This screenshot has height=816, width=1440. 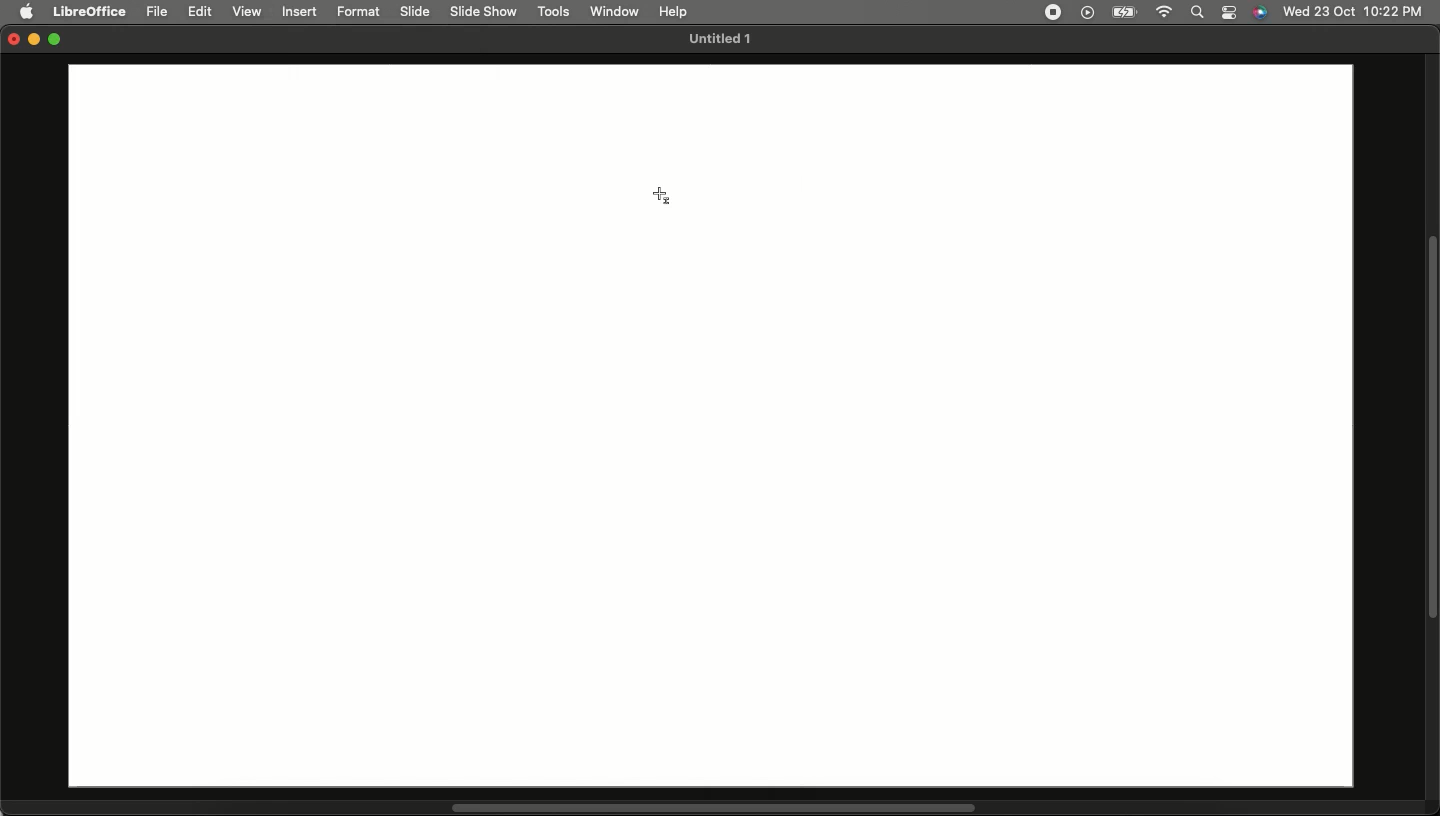 I want to click on Scroll, so click(x=1431, y=429).